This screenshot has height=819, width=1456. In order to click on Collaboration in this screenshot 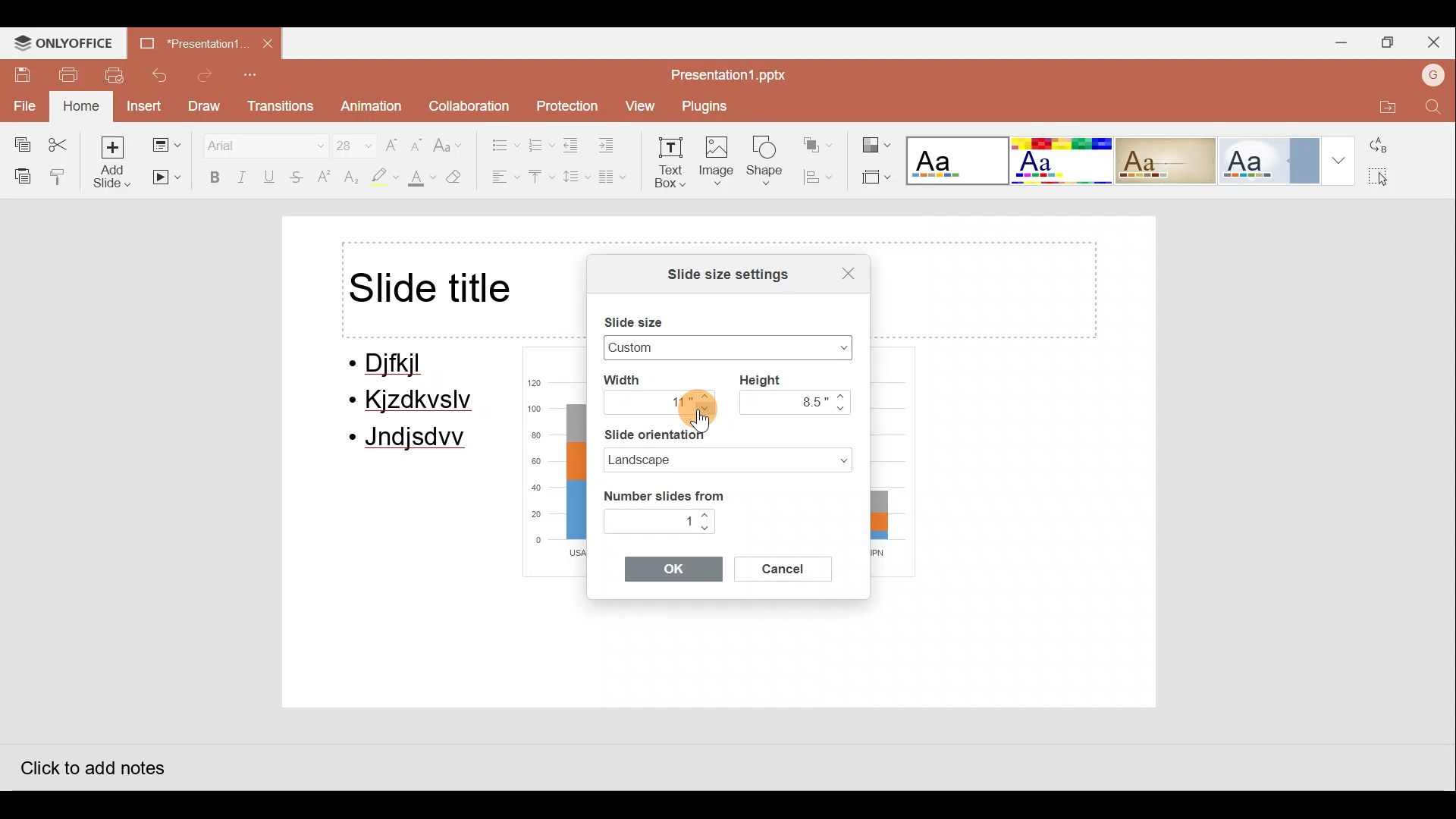, I will do `click(468, 102)`.